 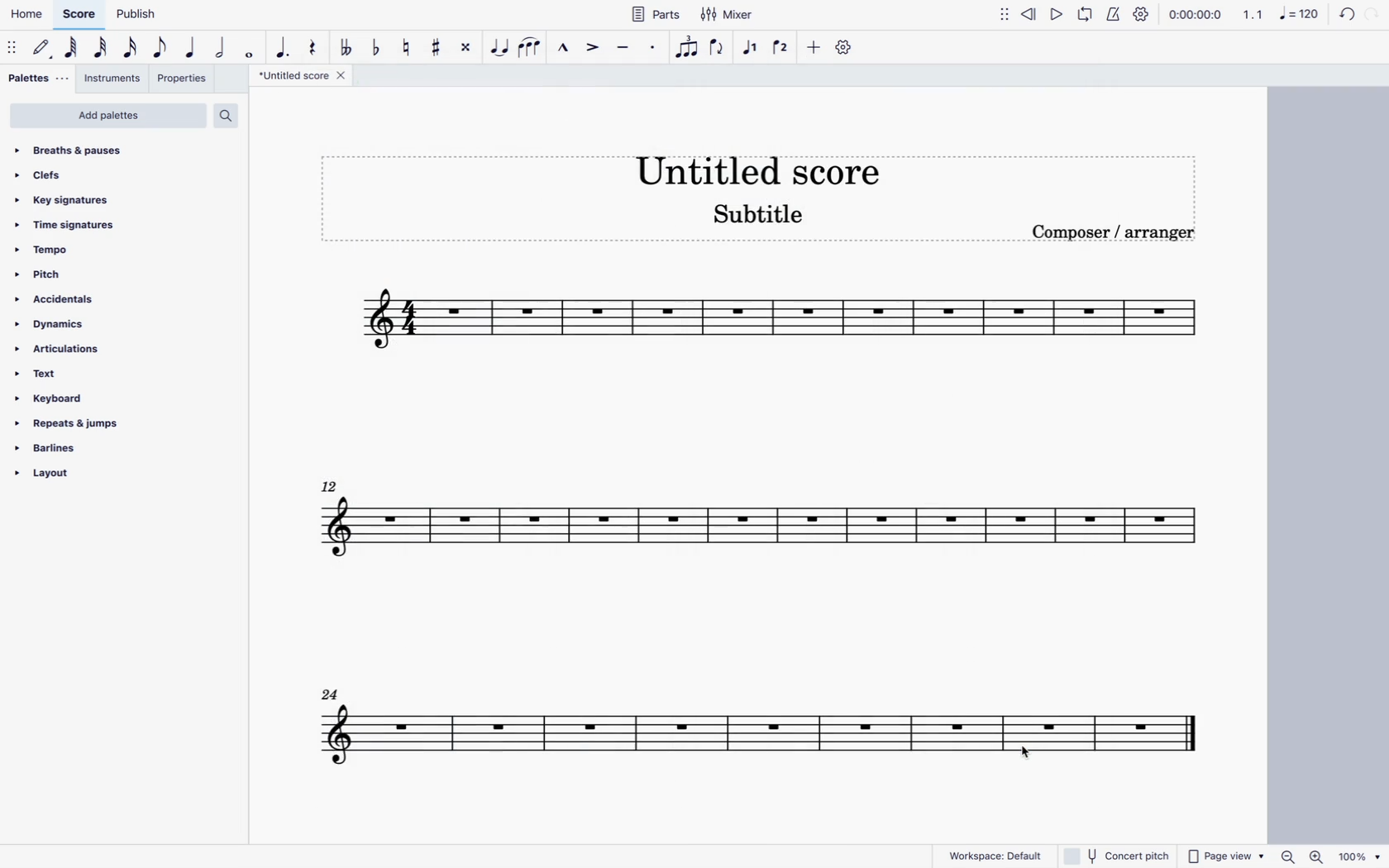 I want to click on Score, so click(x=83, y=13).